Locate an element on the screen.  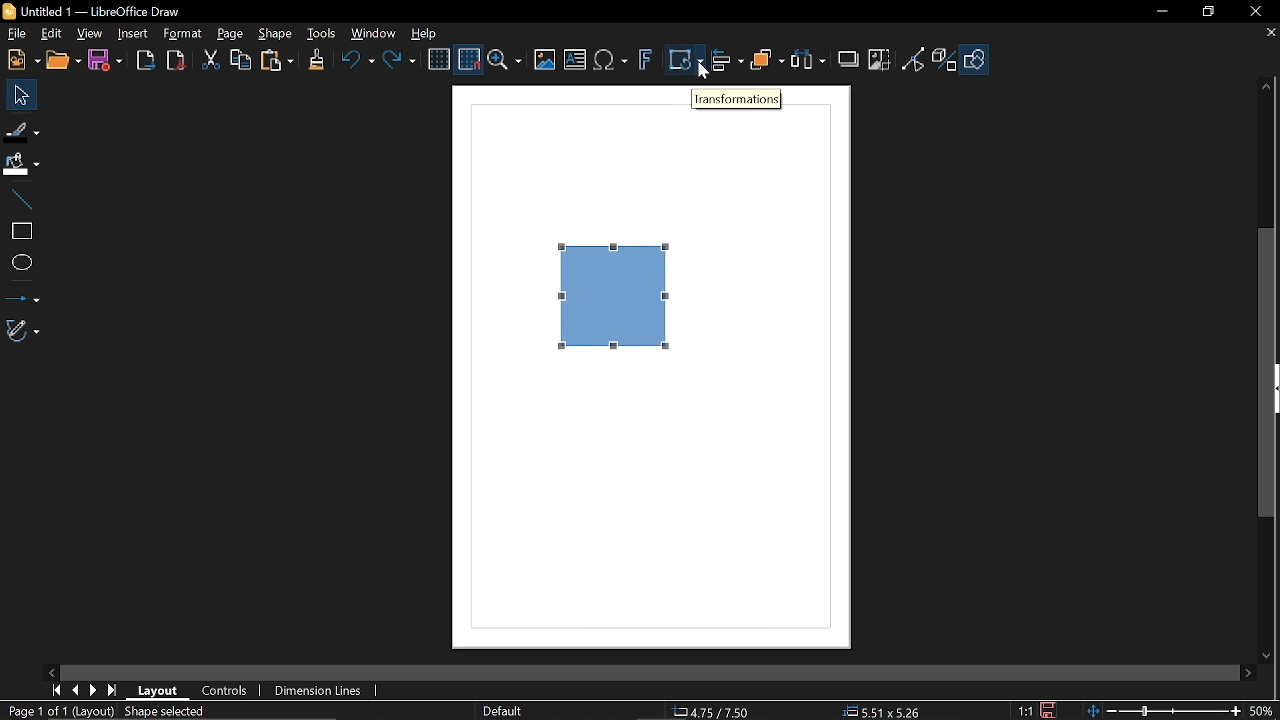
Page is located at coordinates (230, 34).